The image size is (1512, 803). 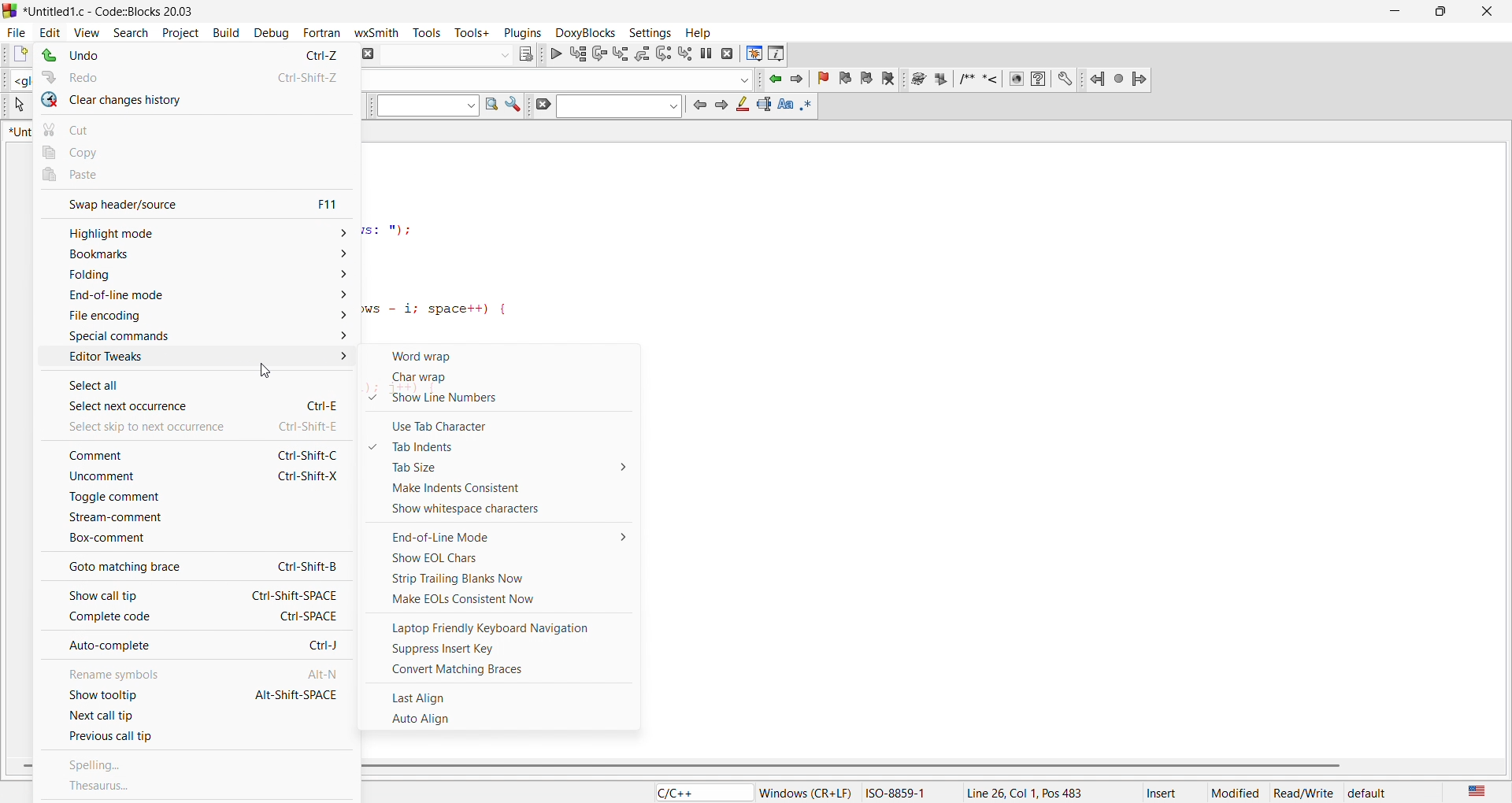 What do you see at coordinates (774, 81) in the screenshot?
I see `jump backward` at bounding box center [774, 81].